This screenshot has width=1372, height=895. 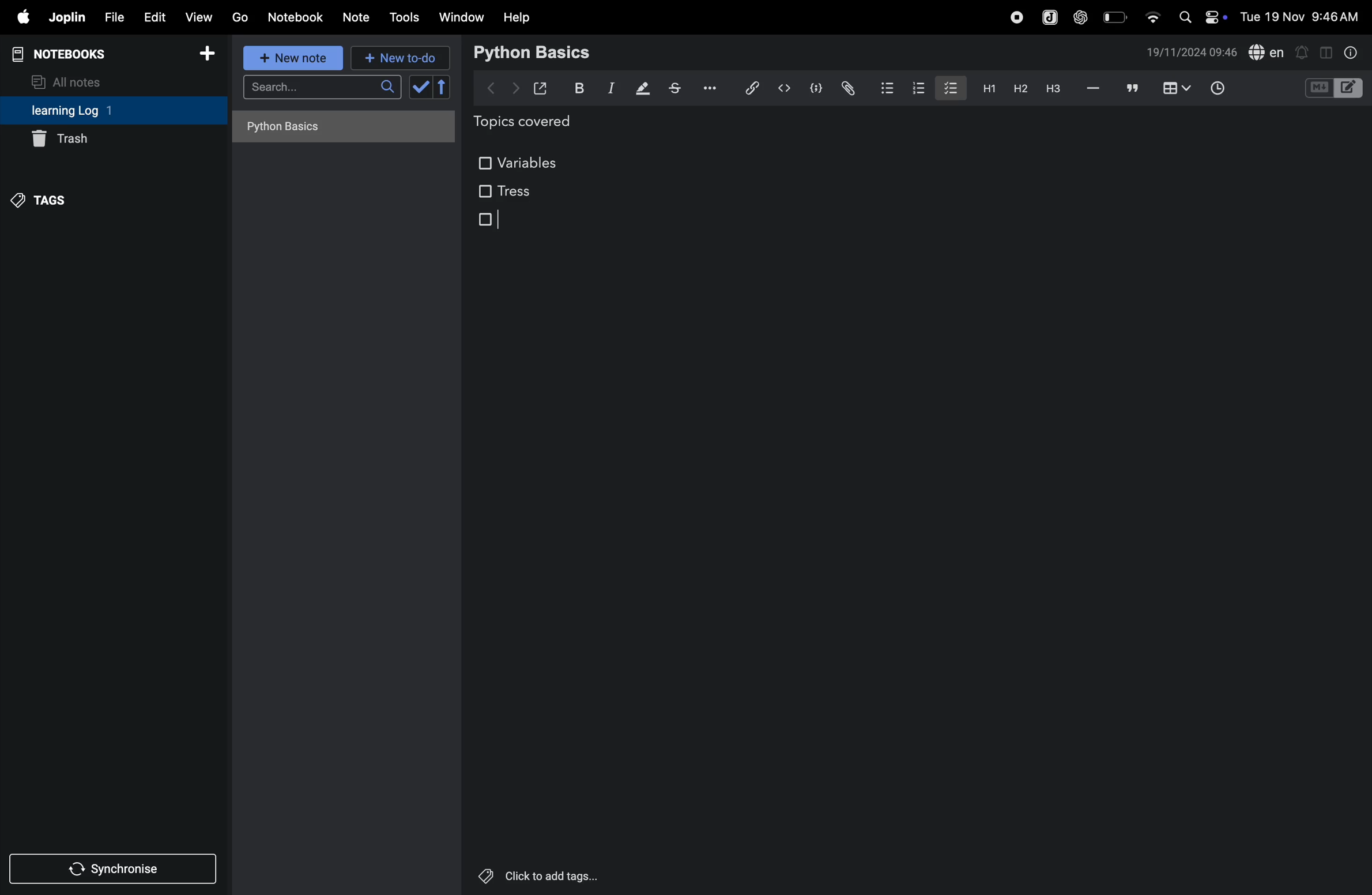 I want to click on backward, so click(x=492, y=87).